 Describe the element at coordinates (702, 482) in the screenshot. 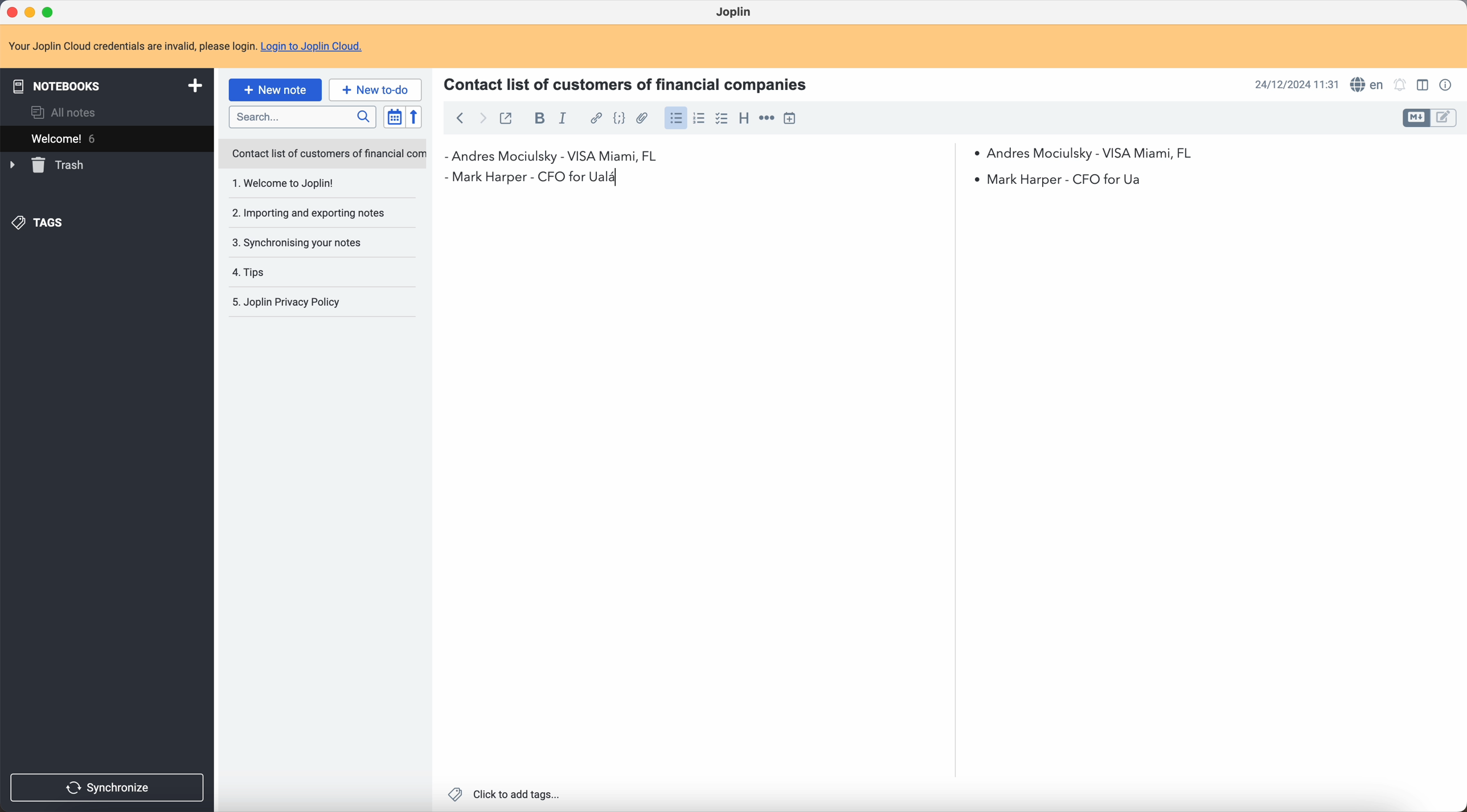

I see `body text` at that location.